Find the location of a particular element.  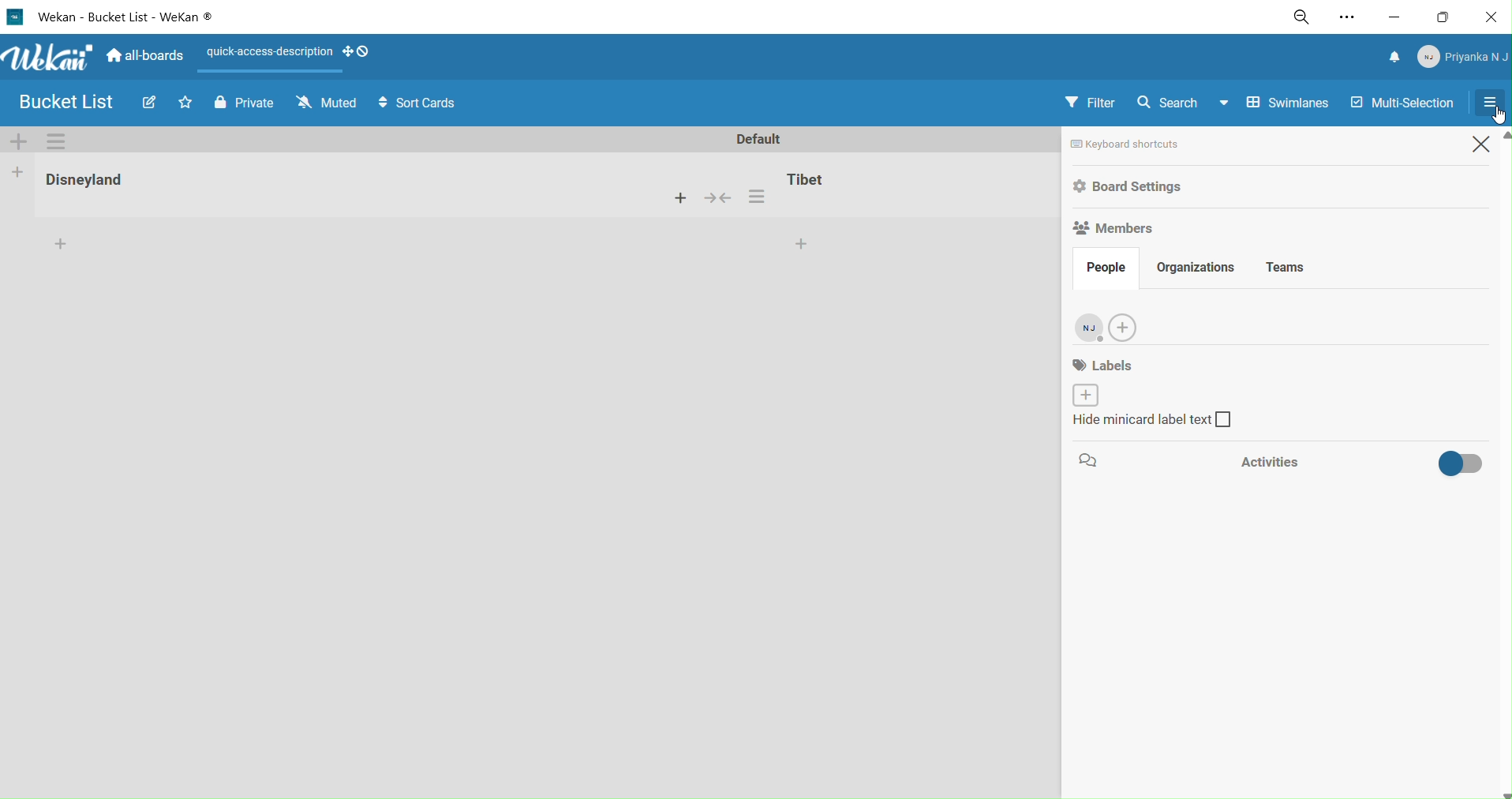

sort cards is located at coordinates (410, 103).